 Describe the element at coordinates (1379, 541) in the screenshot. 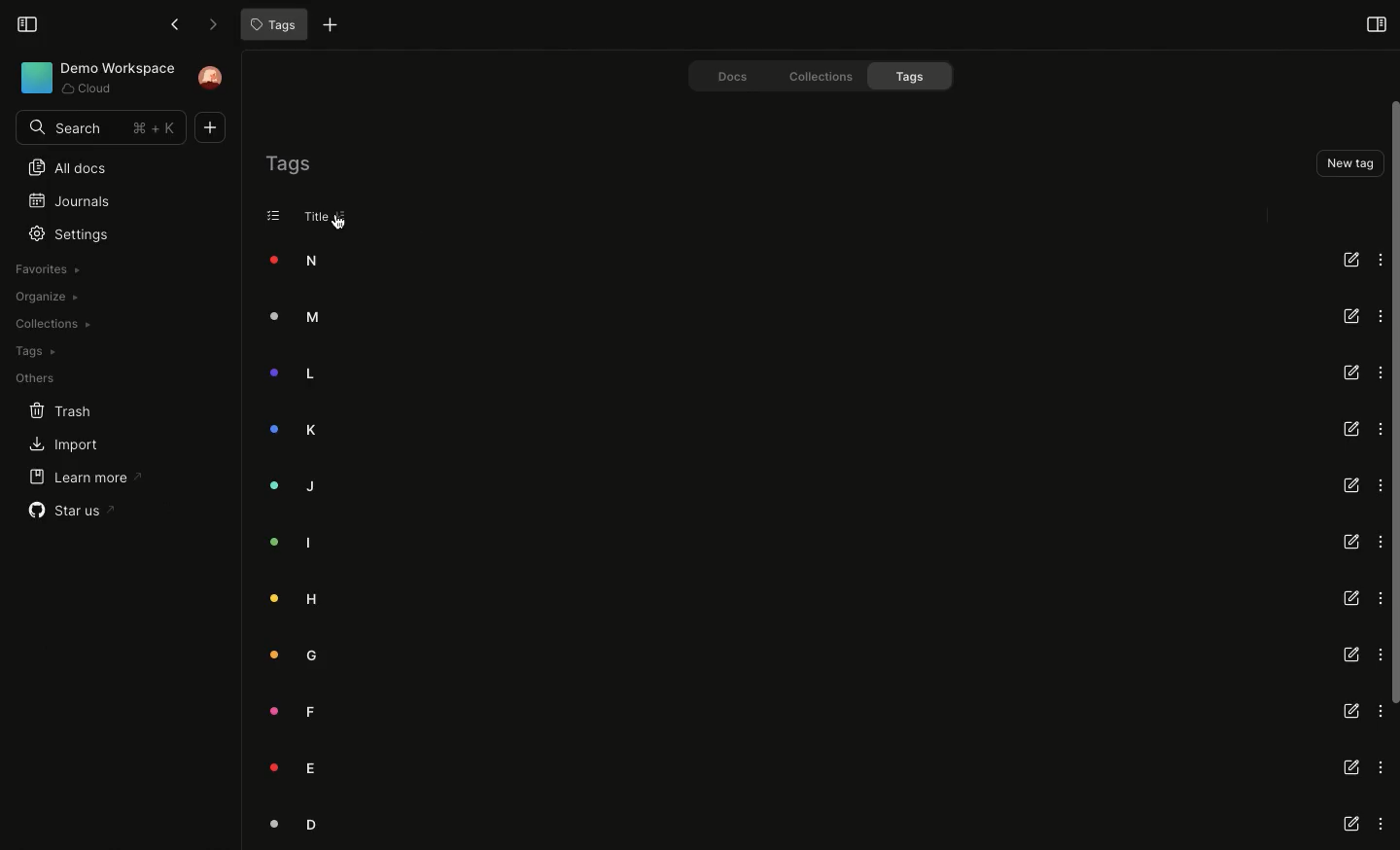

I see `Options` at that location.